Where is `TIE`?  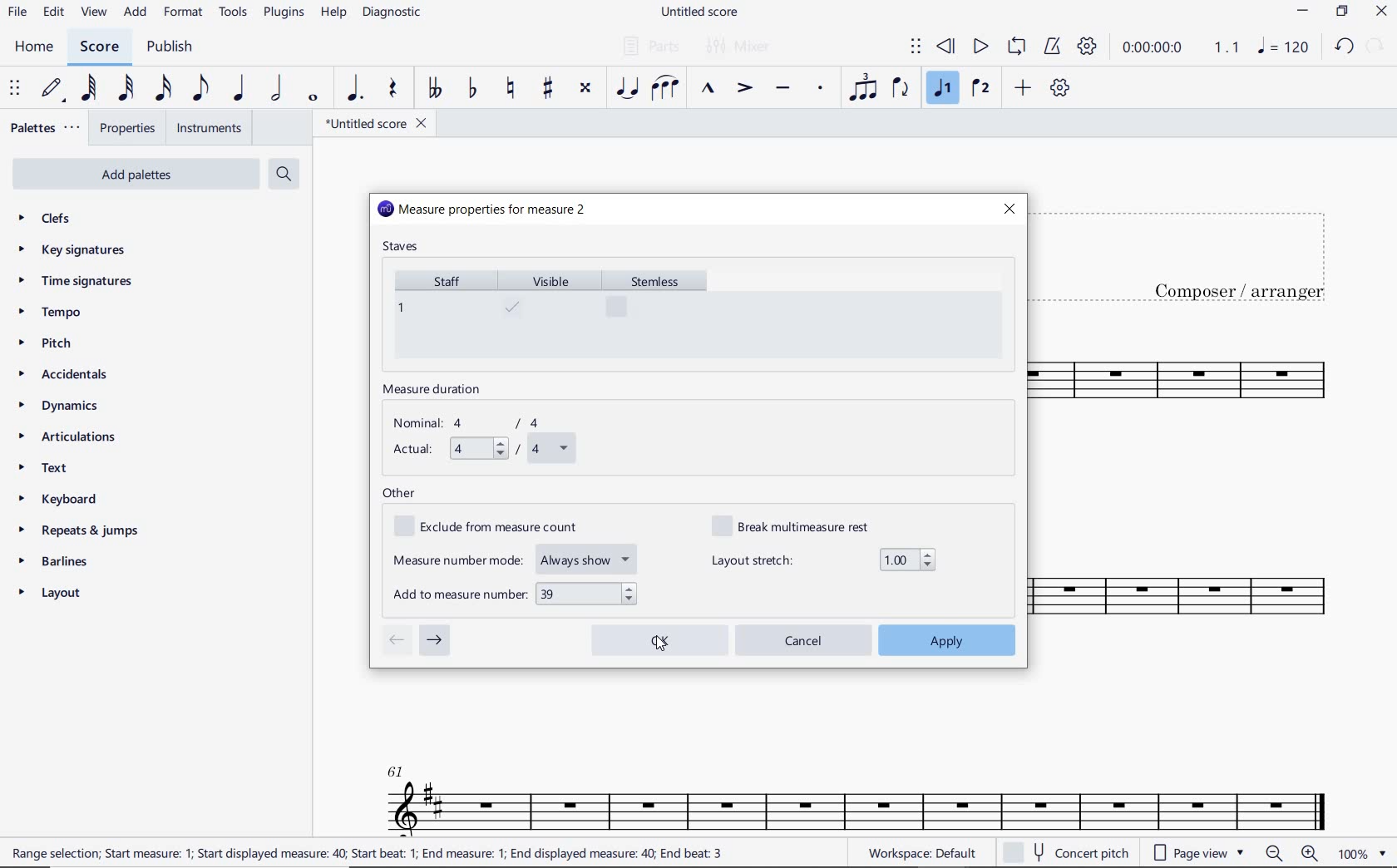
TIE is located at coordinates (627, 87).